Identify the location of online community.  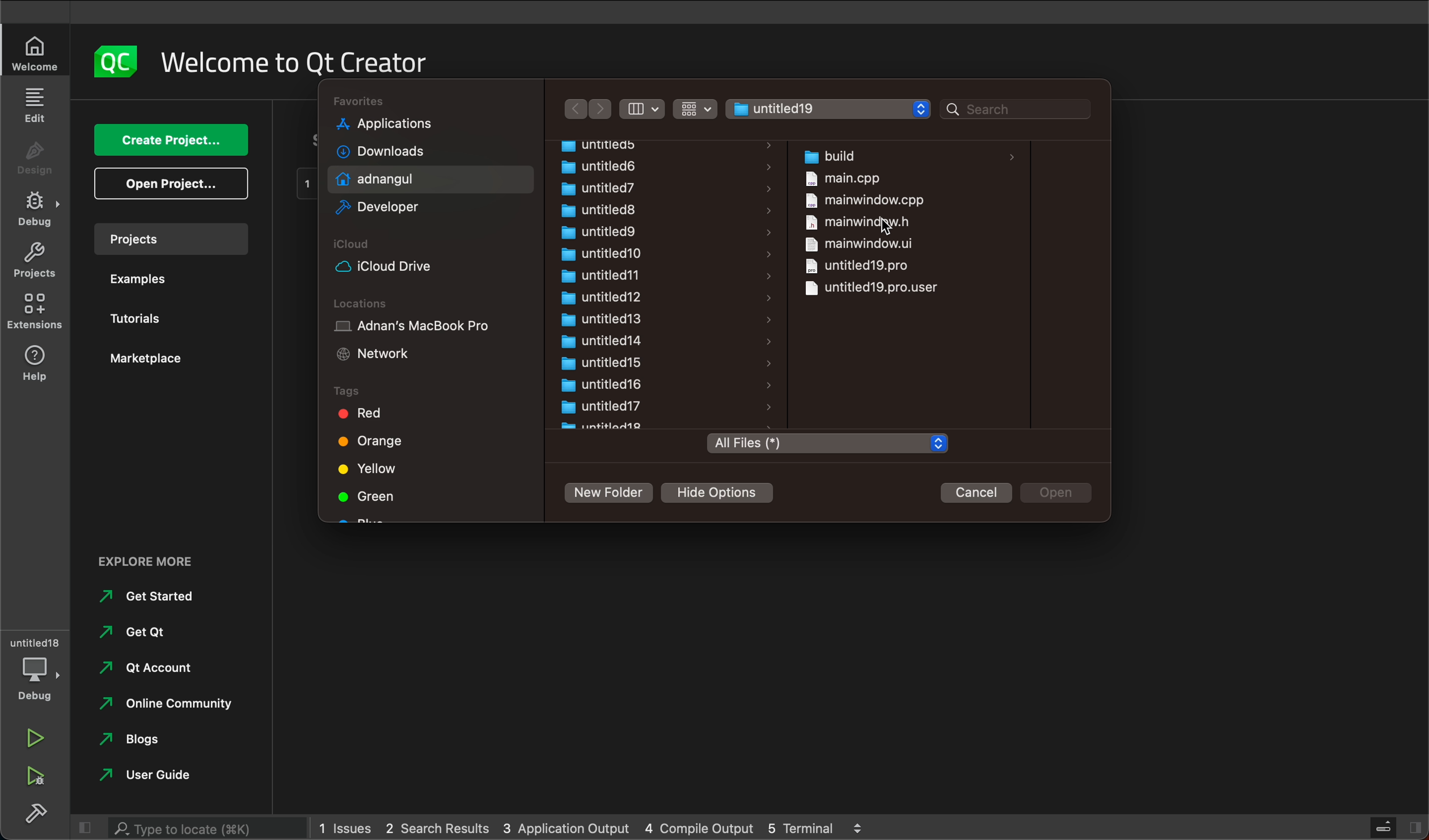
(176, 705).